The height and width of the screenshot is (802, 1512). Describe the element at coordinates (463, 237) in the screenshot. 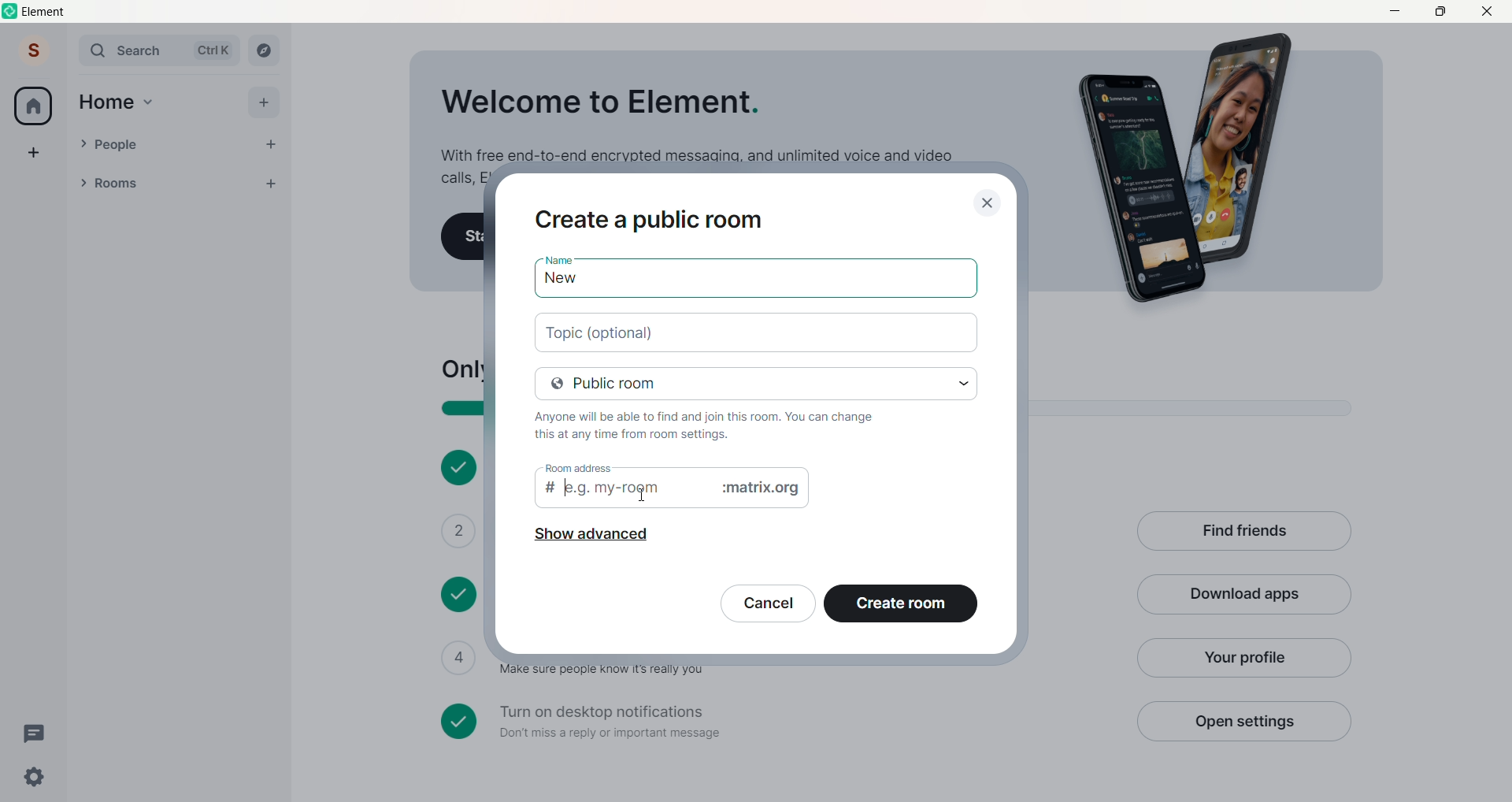

I see `Start your first chat` at that location.